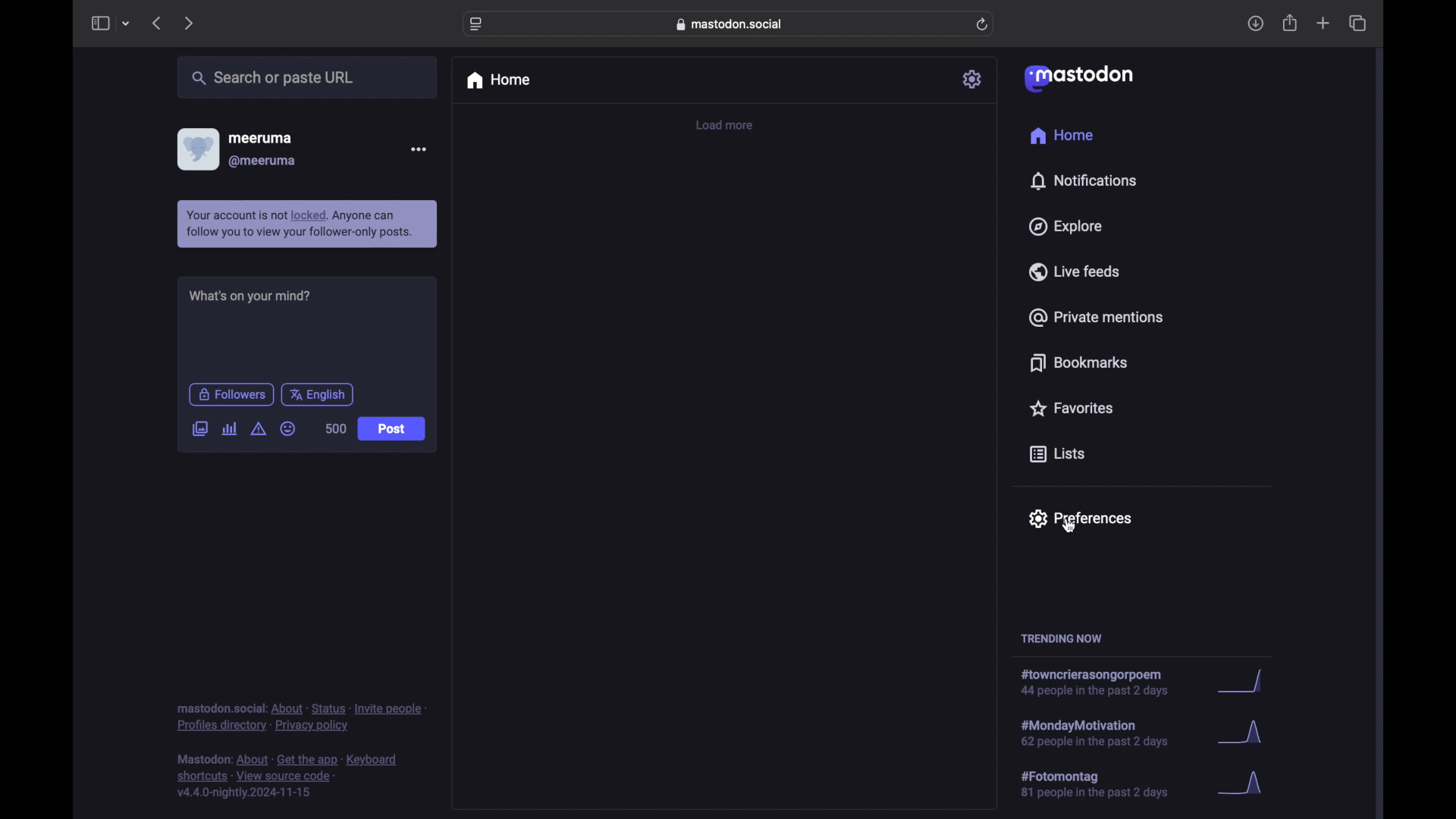 This screenshot has width=1456, height=819. What do you see at coordinates (973, 79) in the screenshot?
I see `settings` at bounding box center [973, 79].